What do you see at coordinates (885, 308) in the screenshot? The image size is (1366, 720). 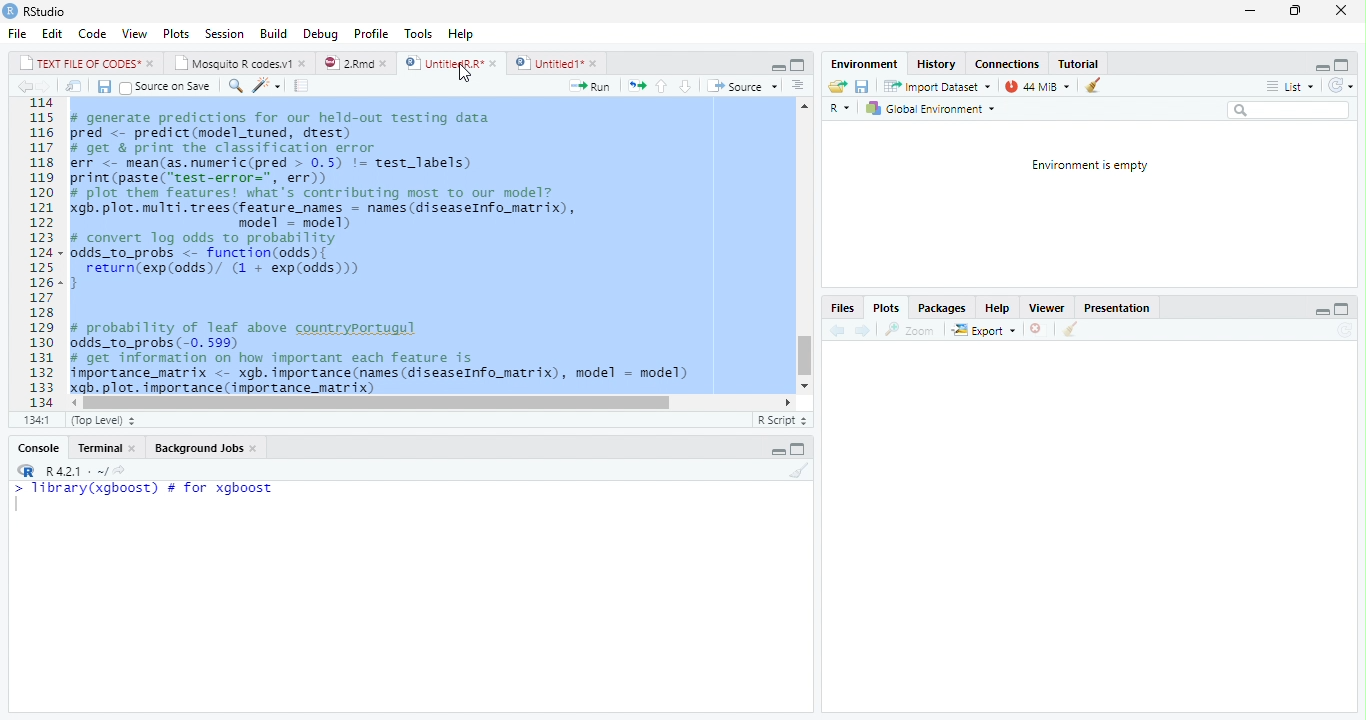 I see `Plots` at bounding box center [885, 308].